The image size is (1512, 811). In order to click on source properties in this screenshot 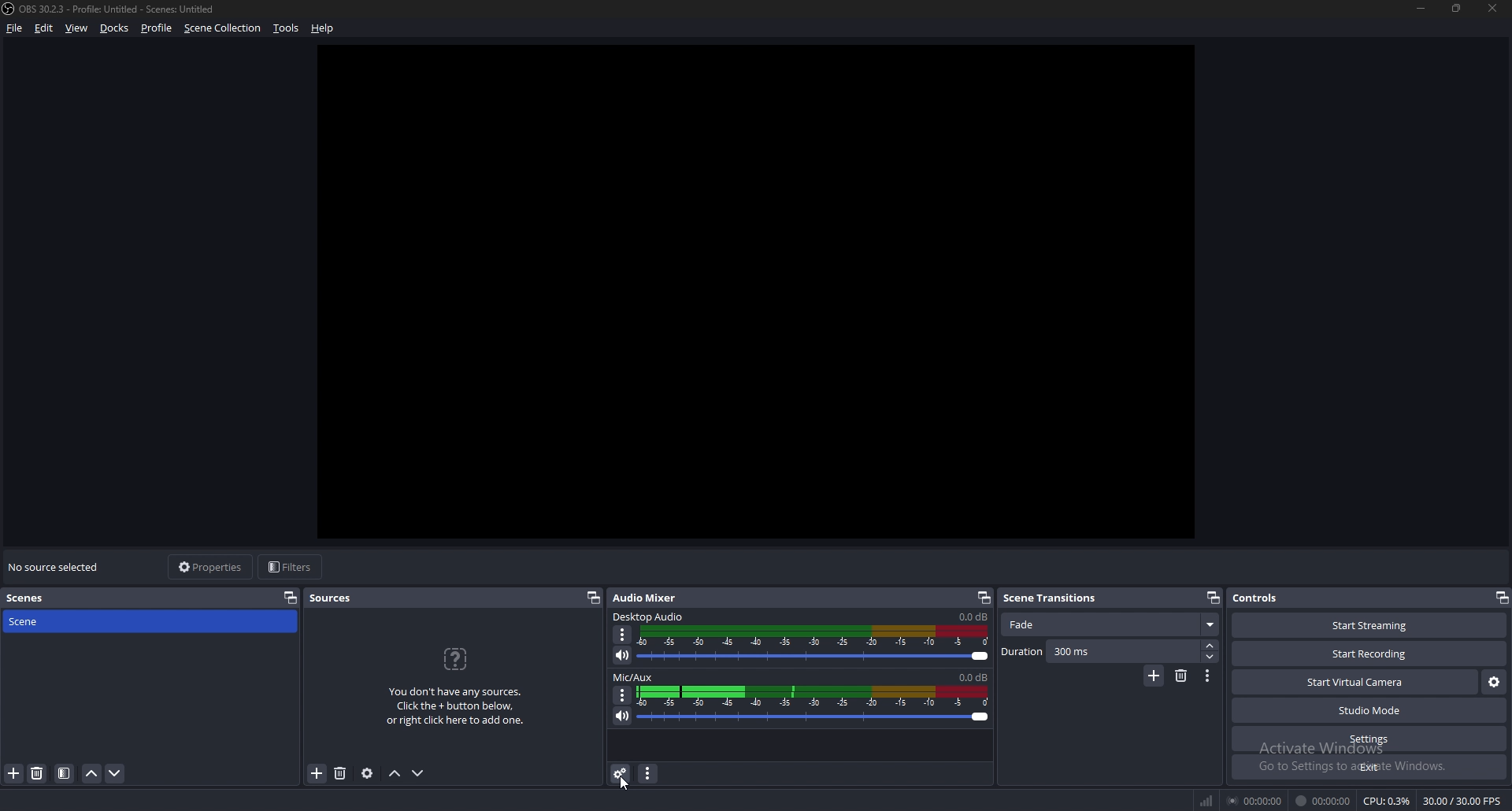, I will do `click(366, 774)`.